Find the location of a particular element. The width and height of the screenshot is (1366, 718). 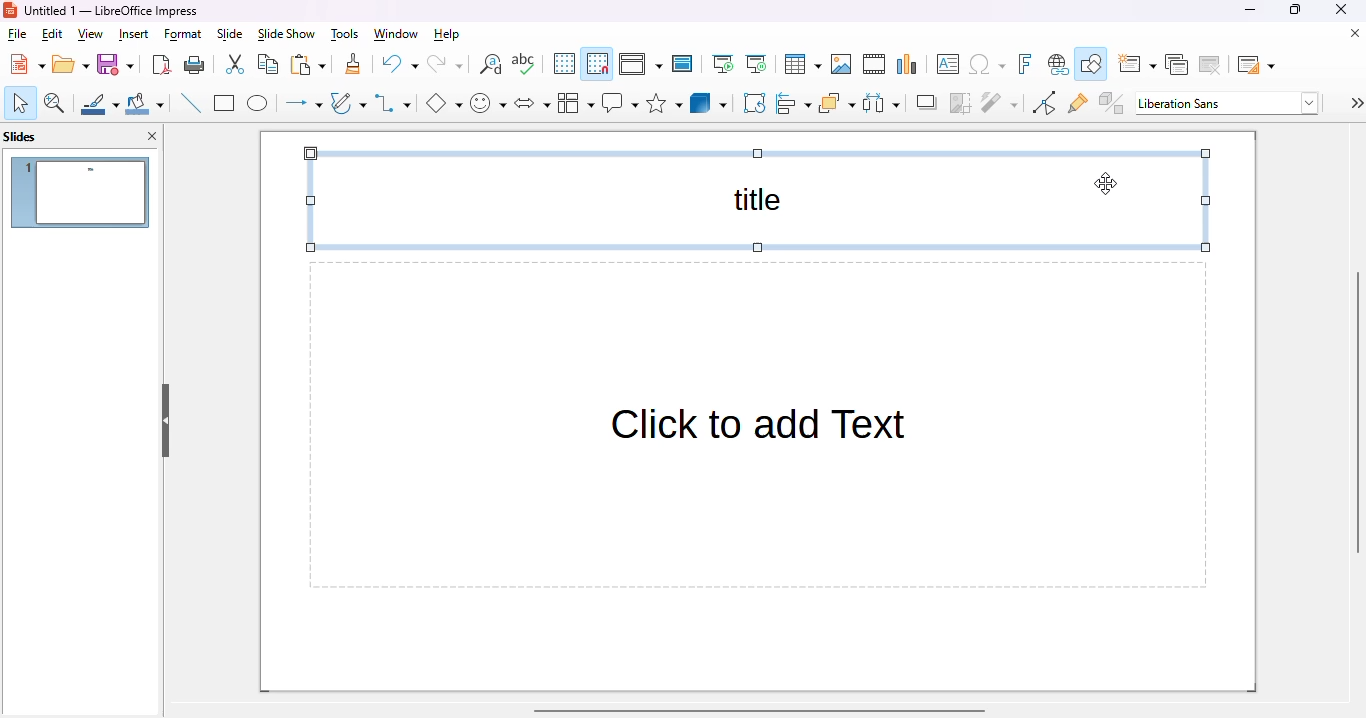

print is located at coordinates (195, 65).